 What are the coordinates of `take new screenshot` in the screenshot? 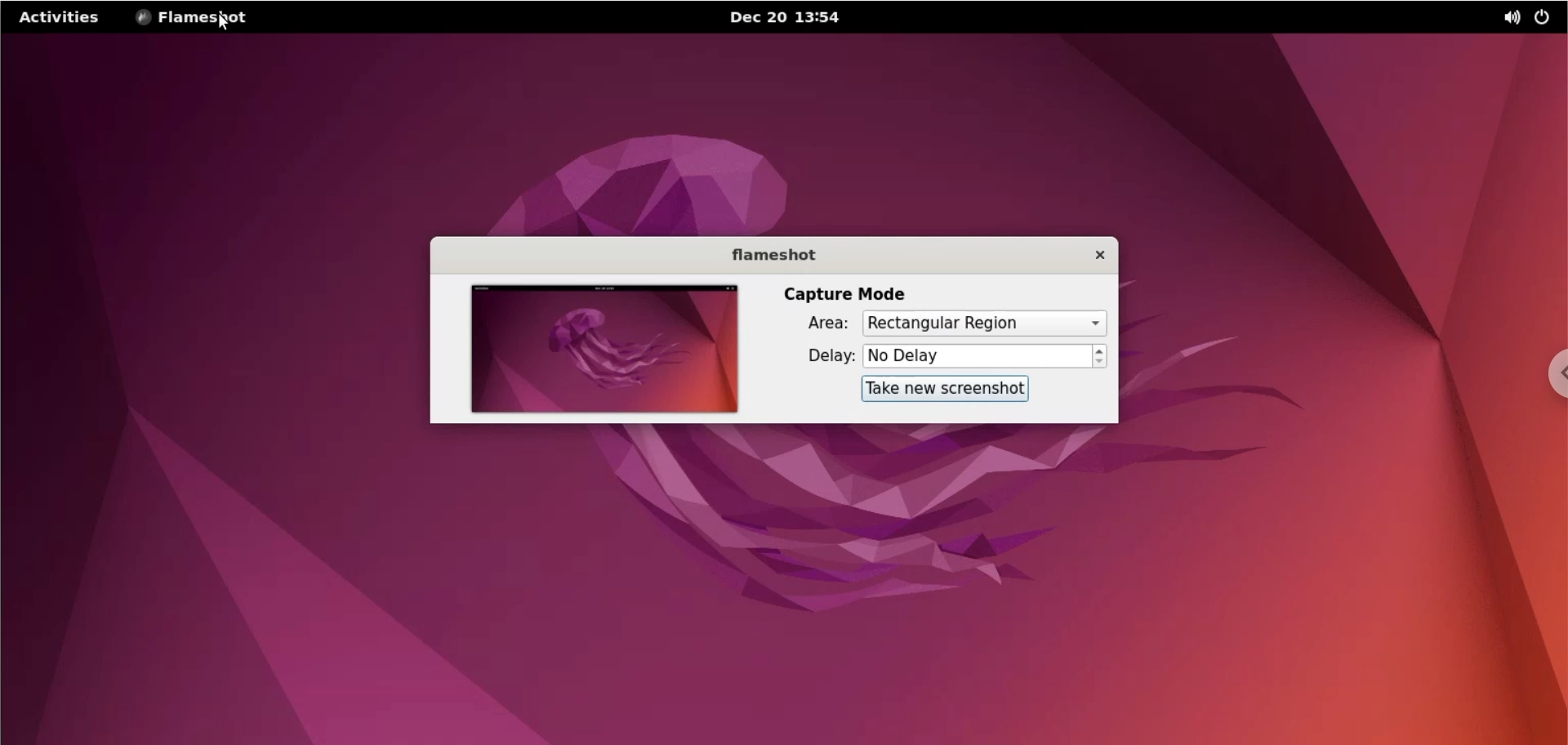 It's located at (942, 390).